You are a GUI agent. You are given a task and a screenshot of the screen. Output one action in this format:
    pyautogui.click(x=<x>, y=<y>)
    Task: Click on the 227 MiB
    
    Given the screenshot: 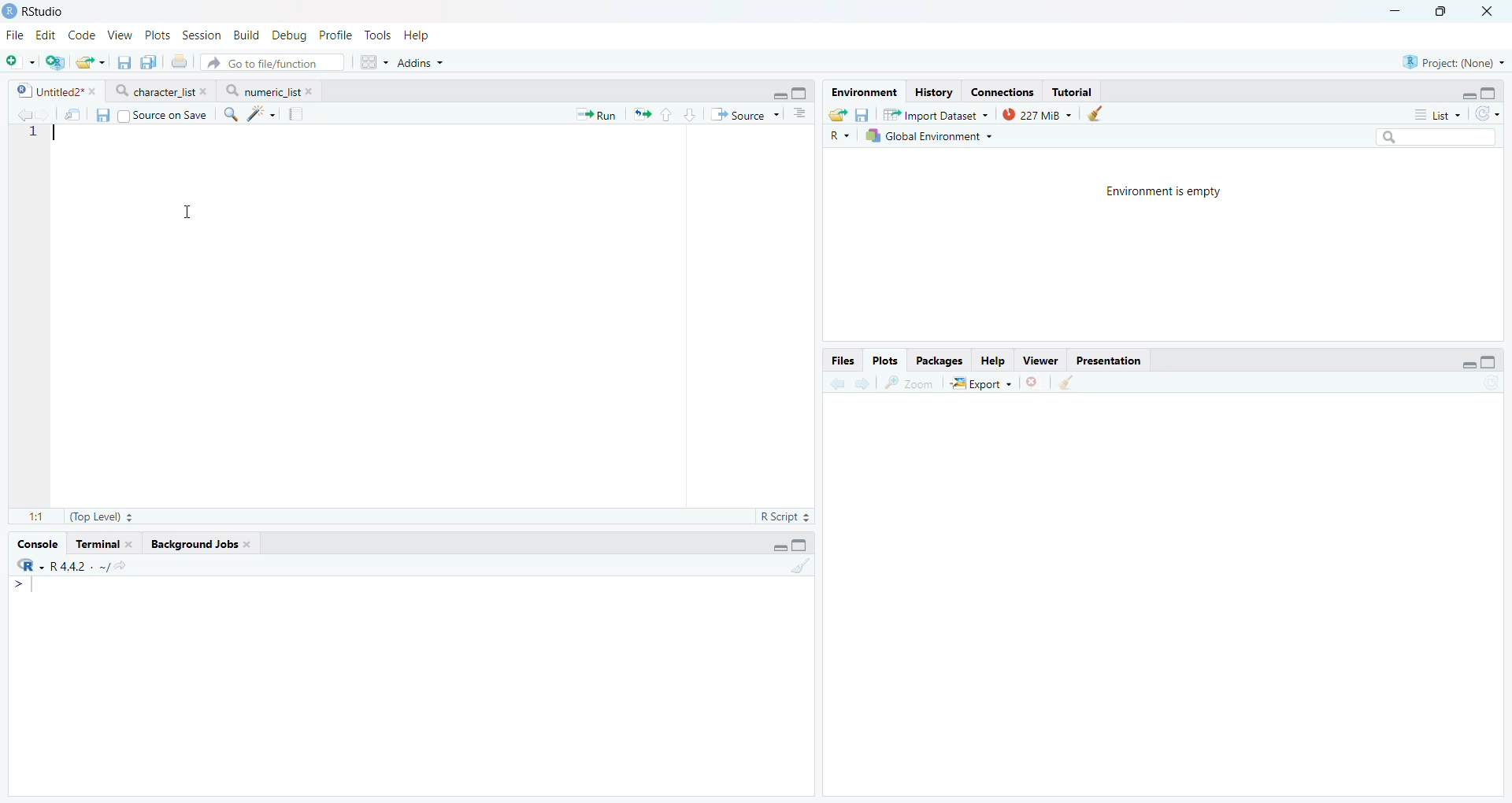 What is the action you would take?
    pyautogui.click(x=1034, y=113)
    